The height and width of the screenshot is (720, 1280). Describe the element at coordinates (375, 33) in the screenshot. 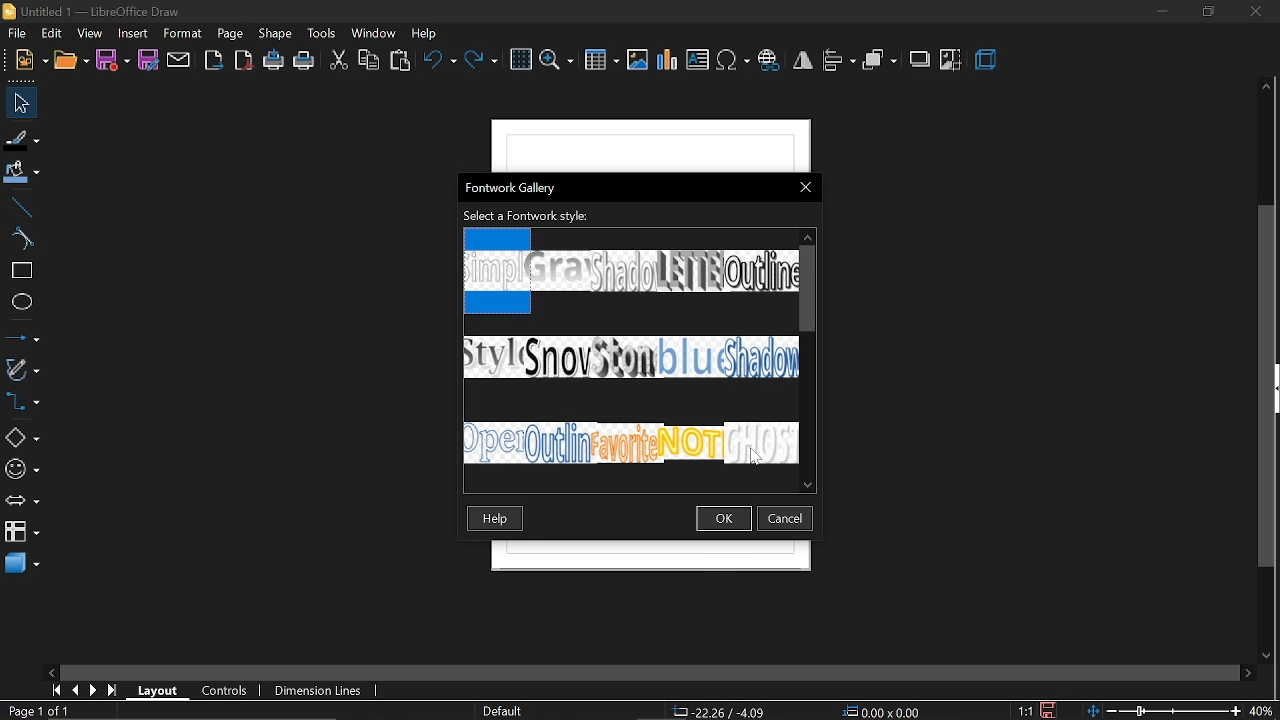

I see `window` at that location.